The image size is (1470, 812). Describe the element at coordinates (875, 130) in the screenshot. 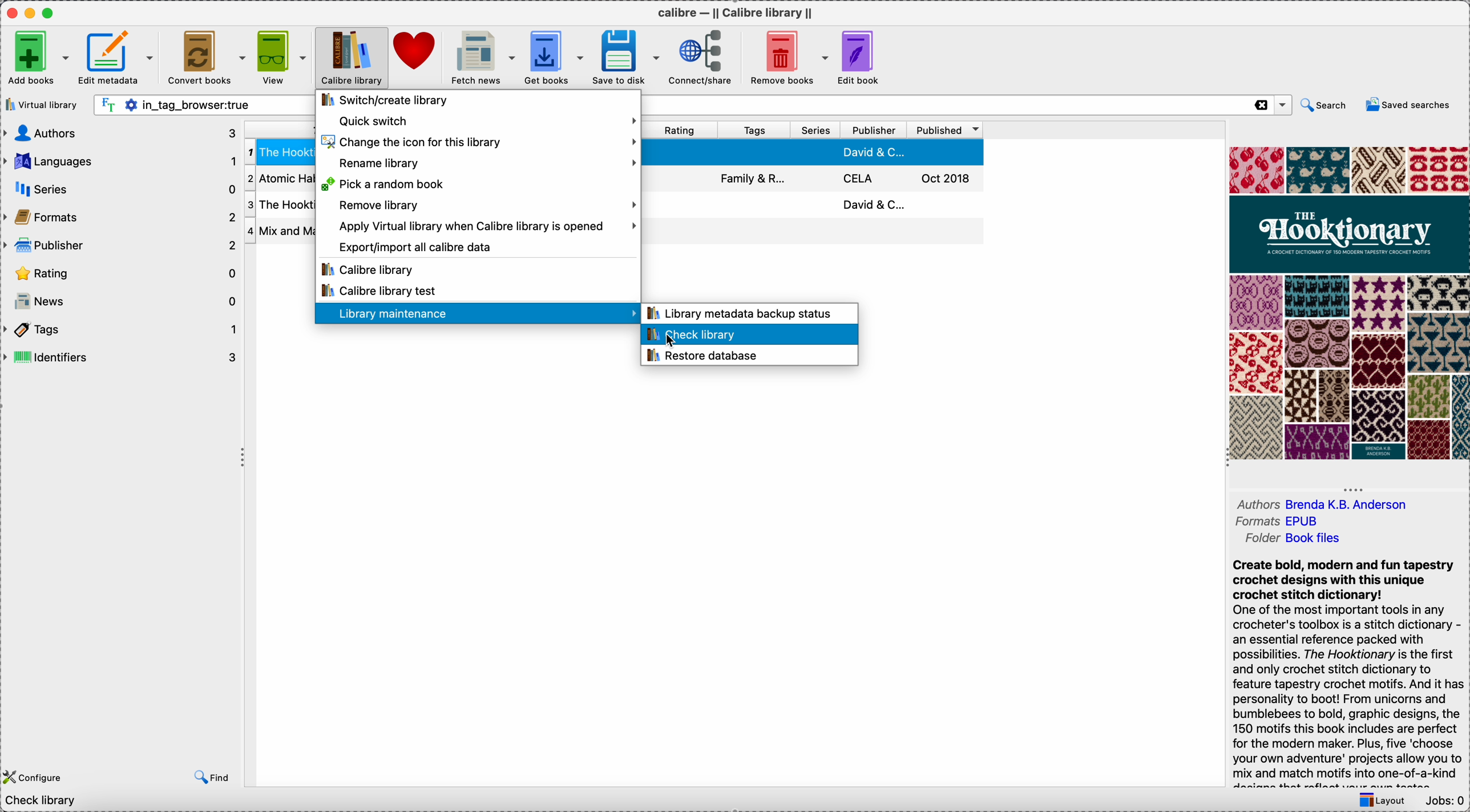

I see `publisher` at that location.